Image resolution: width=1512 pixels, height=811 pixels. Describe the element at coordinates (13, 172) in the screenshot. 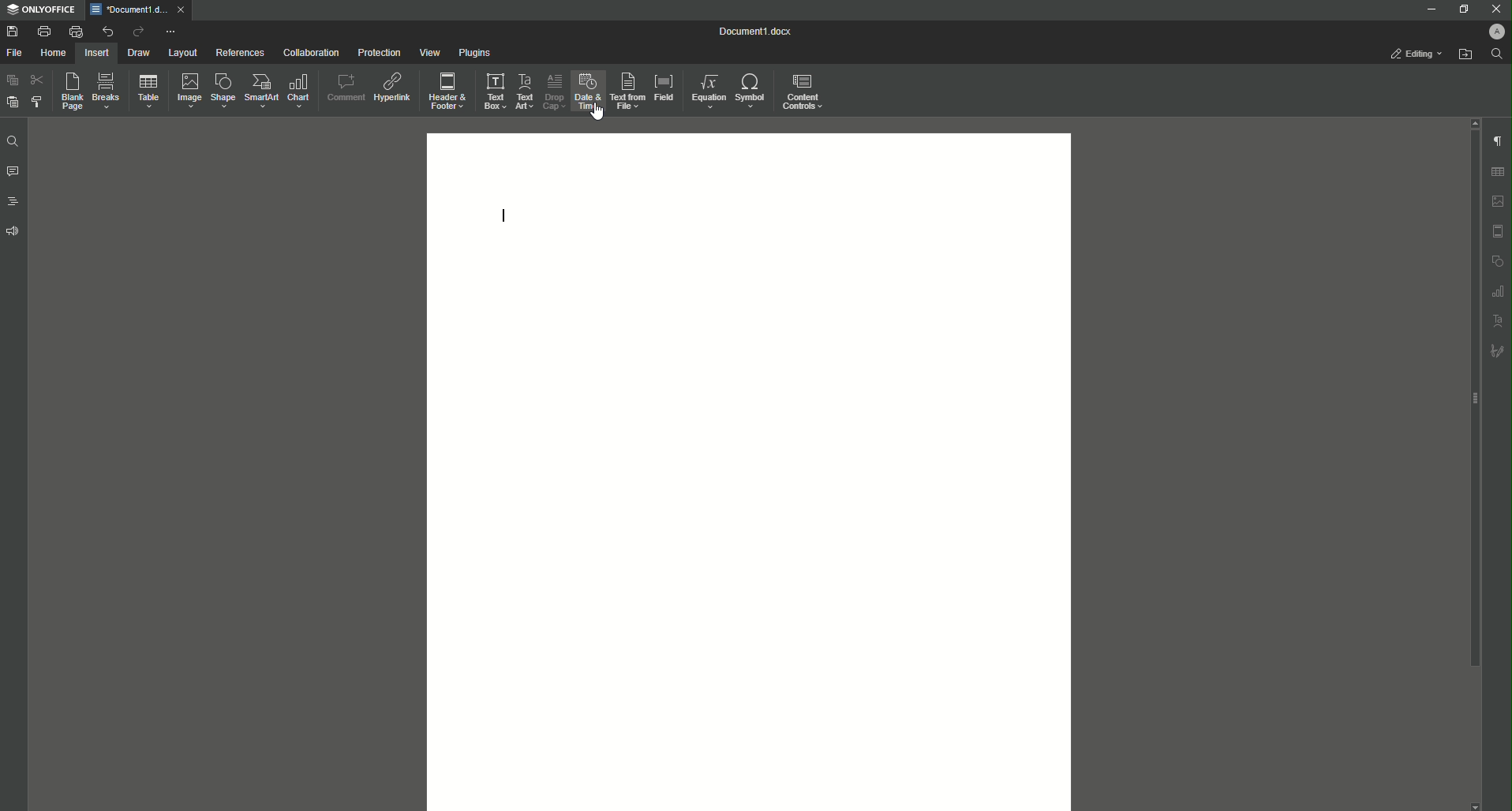

I see `Comments` at that location.